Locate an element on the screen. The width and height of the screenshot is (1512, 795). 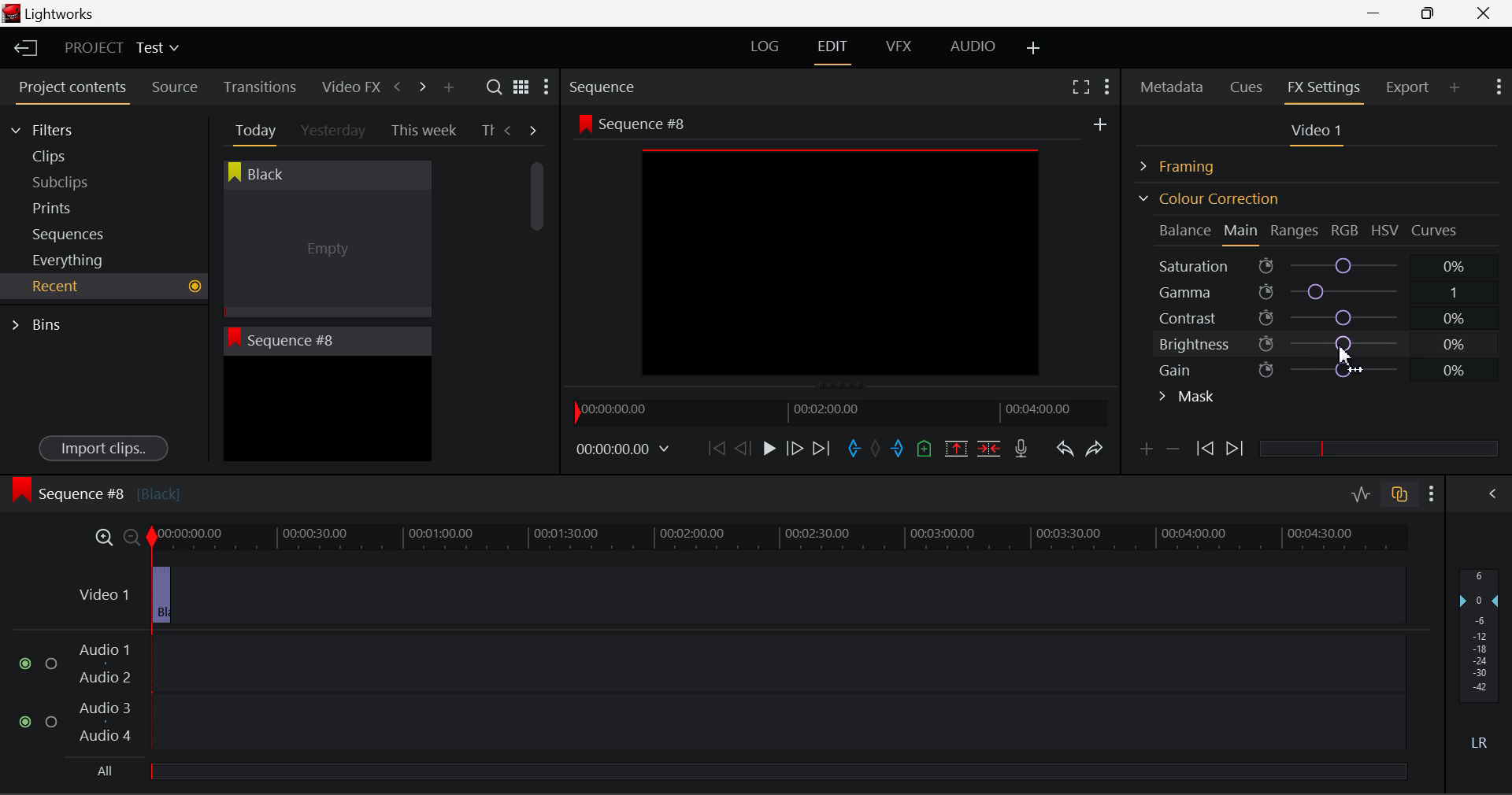
AUDIO Layout is located at coordinates (972, 46).